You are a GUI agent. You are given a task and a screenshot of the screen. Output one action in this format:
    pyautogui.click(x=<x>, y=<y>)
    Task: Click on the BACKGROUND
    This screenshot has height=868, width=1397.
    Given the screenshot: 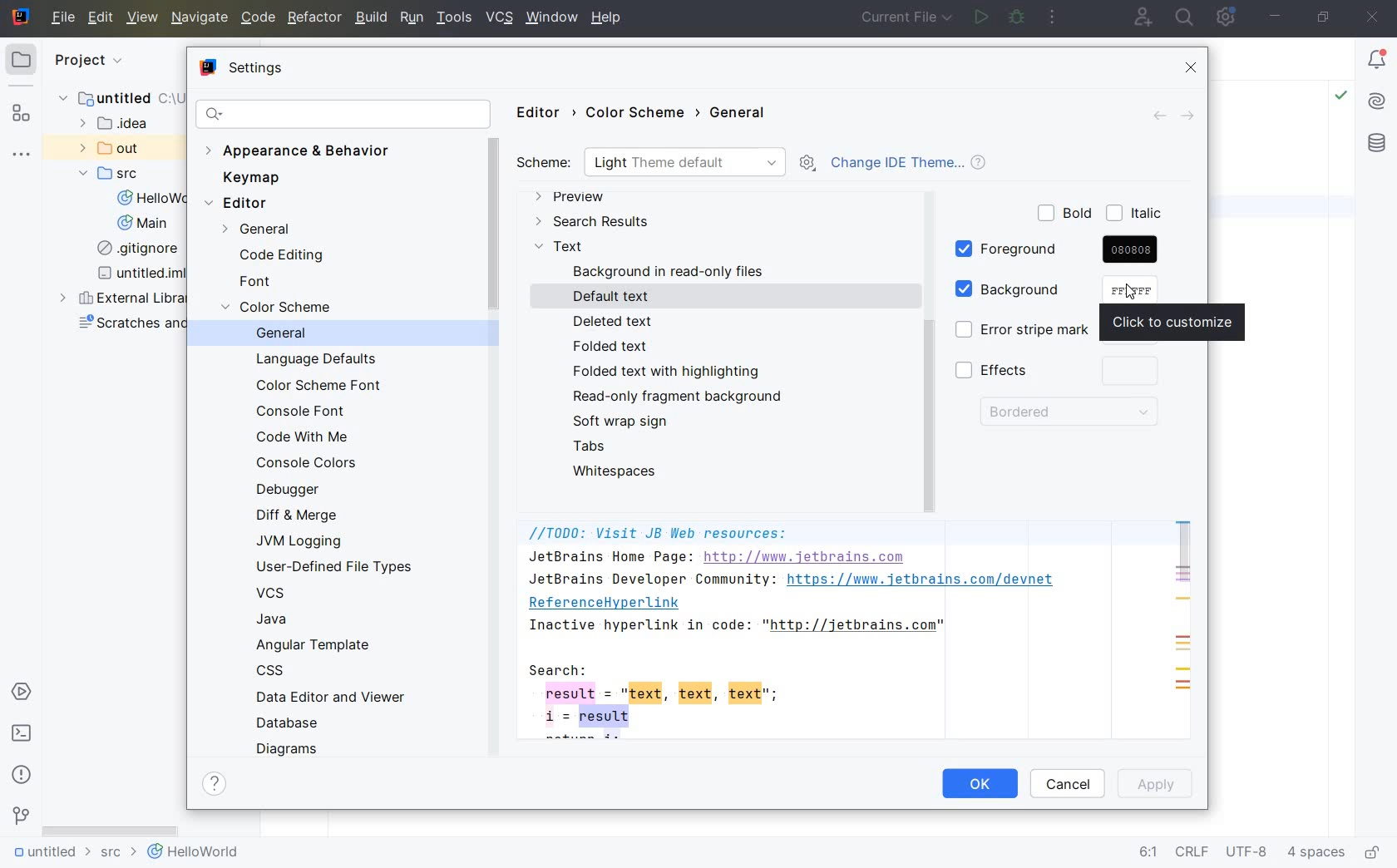 What is the action you would take?
    pyautogui.click(x=671, y=272)
    